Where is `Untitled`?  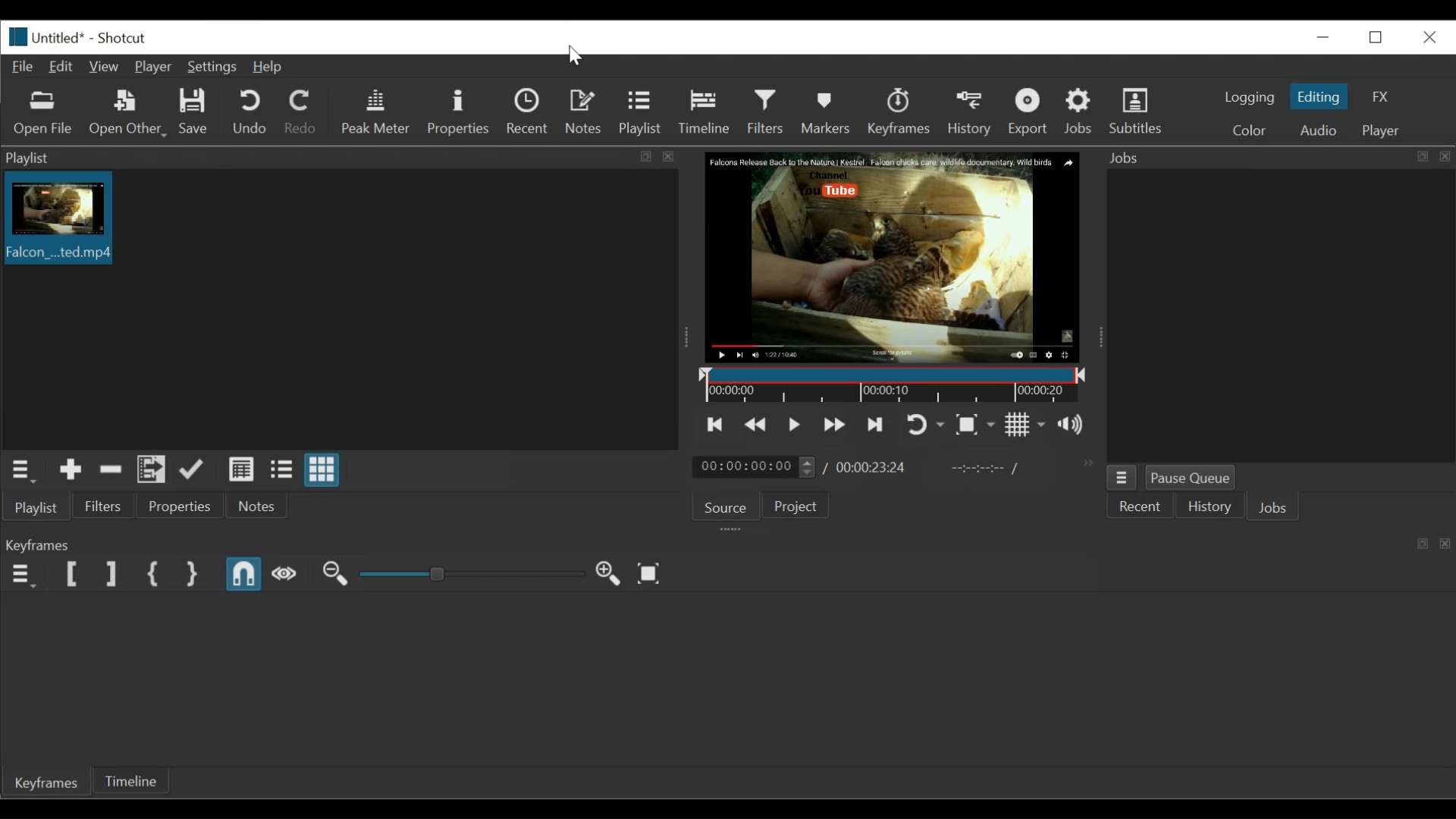 Untitled is located at coordinates (43, 36).